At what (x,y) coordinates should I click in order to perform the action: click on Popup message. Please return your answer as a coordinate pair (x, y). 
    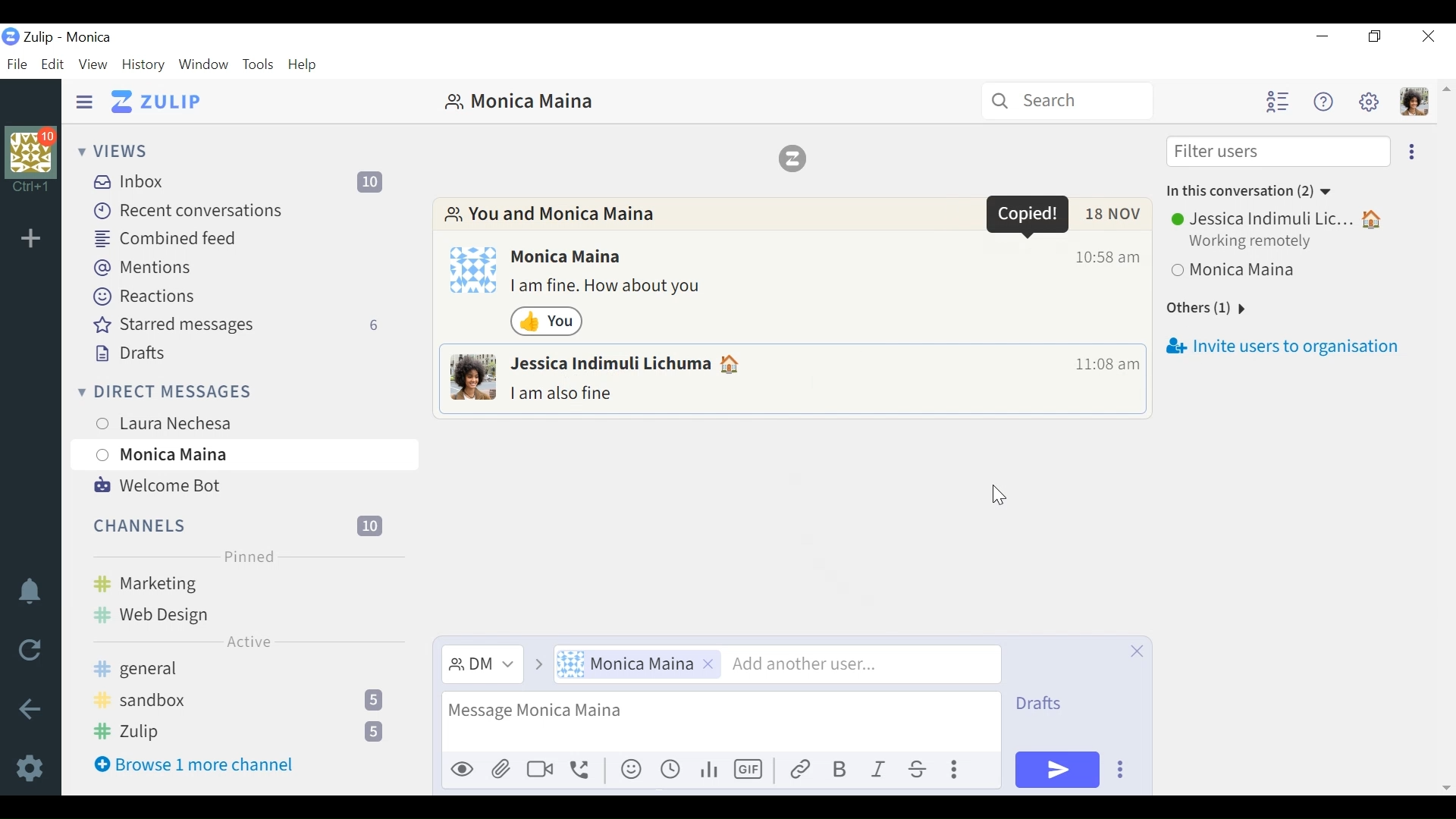
    Looking at the image, I should click on (1029, 213).